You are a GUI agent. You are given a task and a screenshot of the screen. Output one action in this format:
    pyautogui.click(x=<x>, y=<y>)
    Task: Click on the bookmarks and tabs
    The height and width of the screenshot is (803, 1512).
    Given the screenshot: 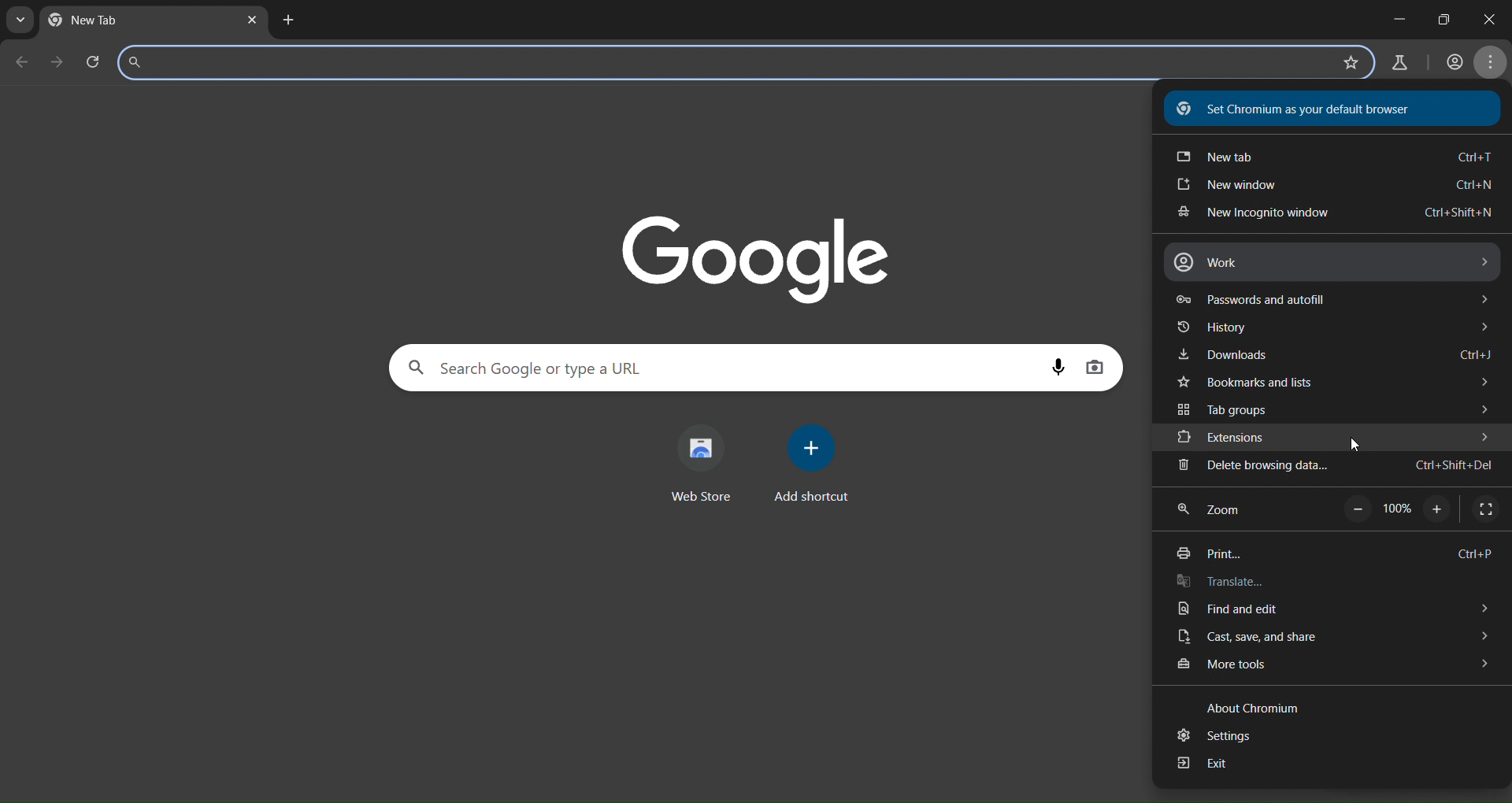 What is the action you would take?
    pyautogui.click(x=1337, y=382)
    